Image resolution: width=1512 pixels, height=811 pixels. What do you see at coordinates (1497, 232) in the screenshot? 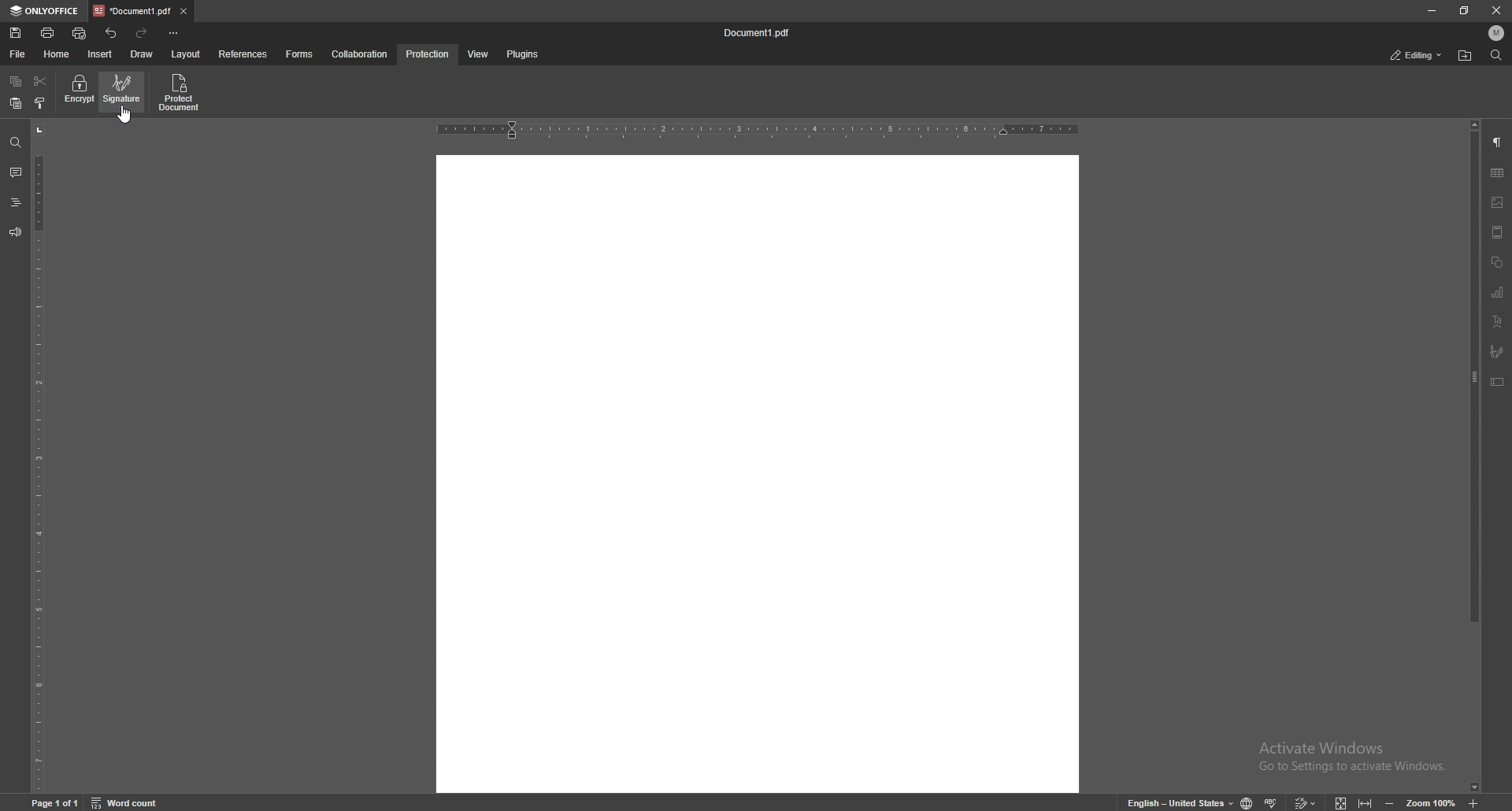
I see `header and footer` at bounding box center [1497, 232].